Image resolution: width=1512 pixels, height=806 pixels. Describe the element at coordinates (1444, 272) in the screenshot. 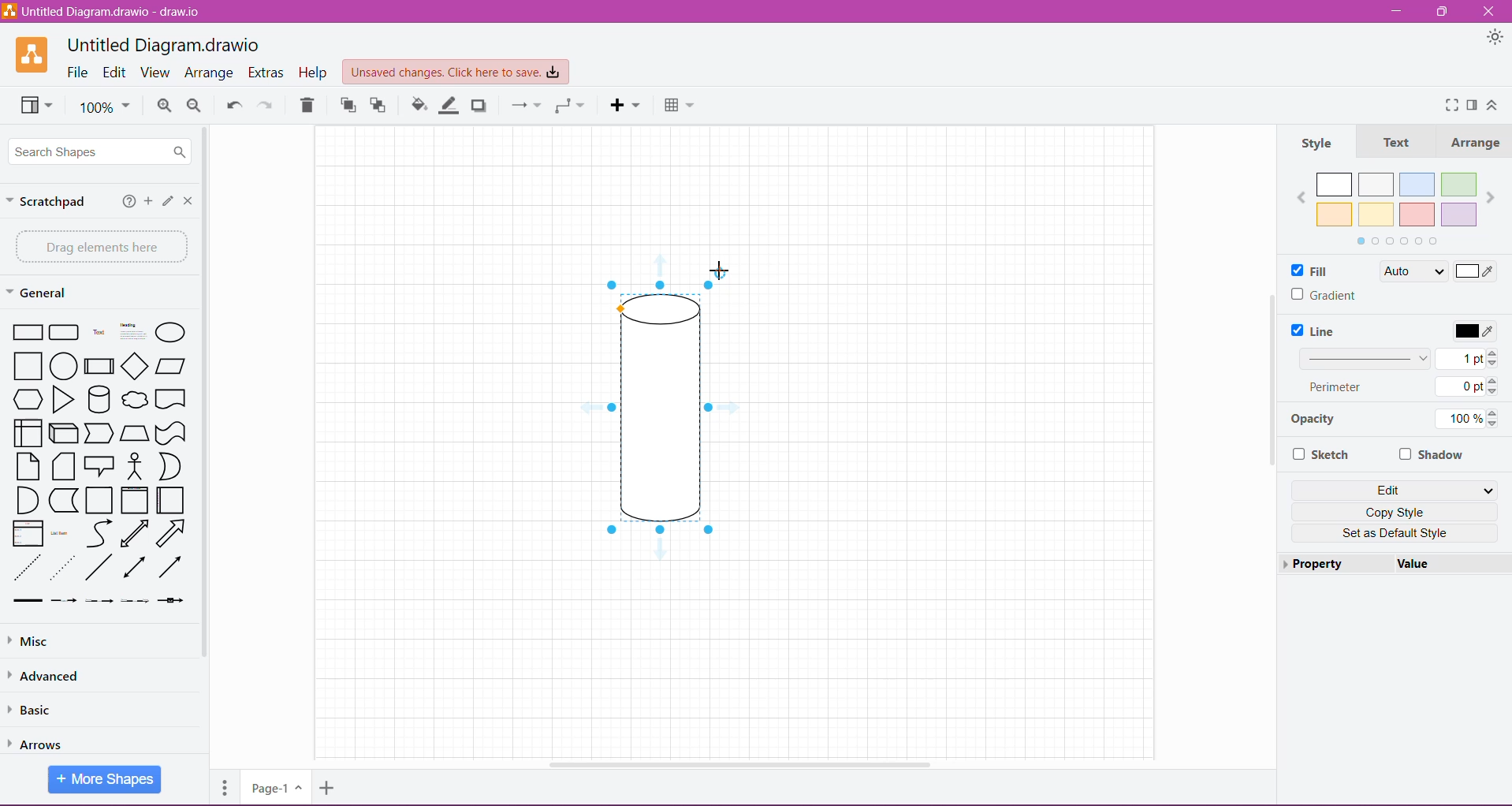

I see `Current Shape Fill color applied` at that location.